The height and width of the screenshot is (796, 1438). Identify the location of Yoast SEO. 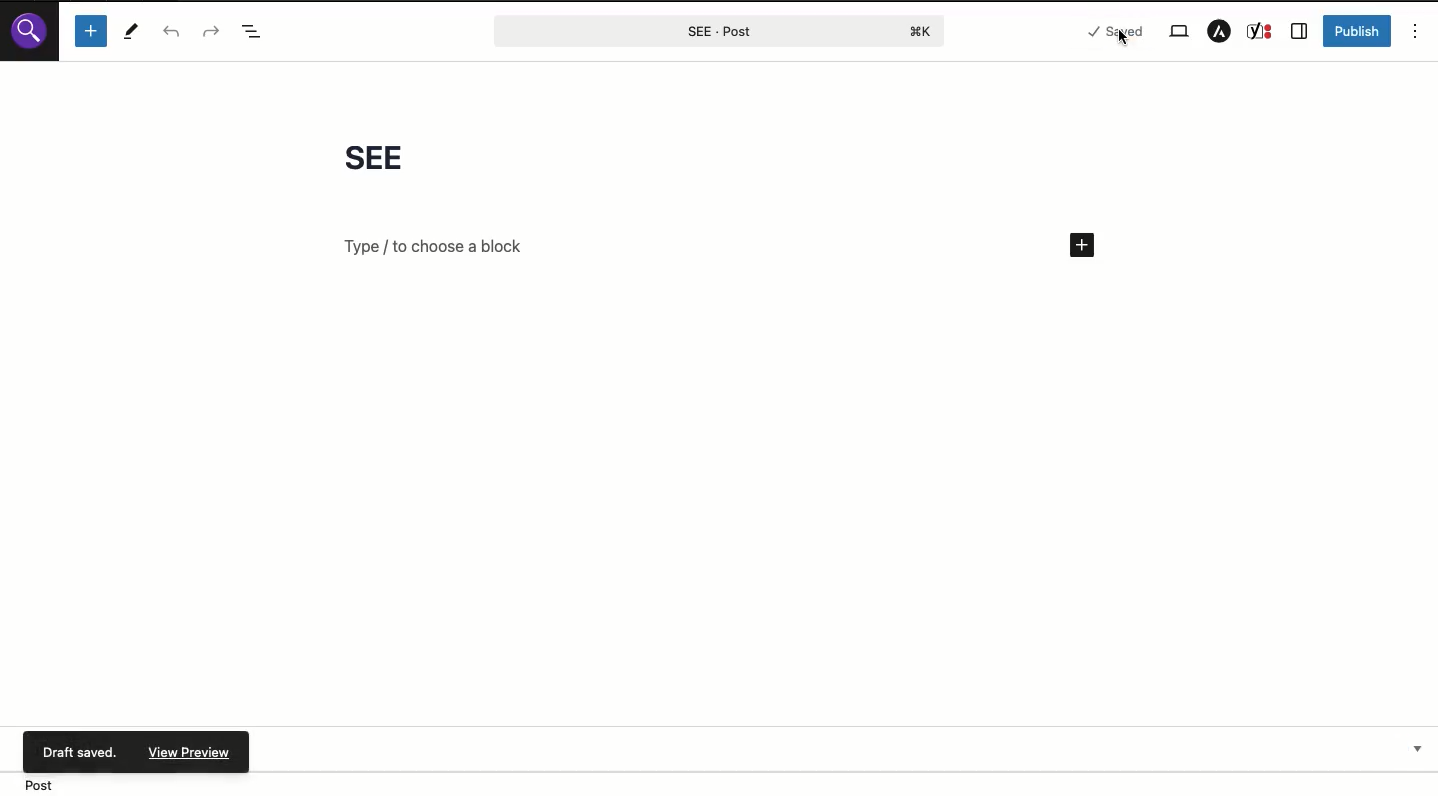
(853, 746).